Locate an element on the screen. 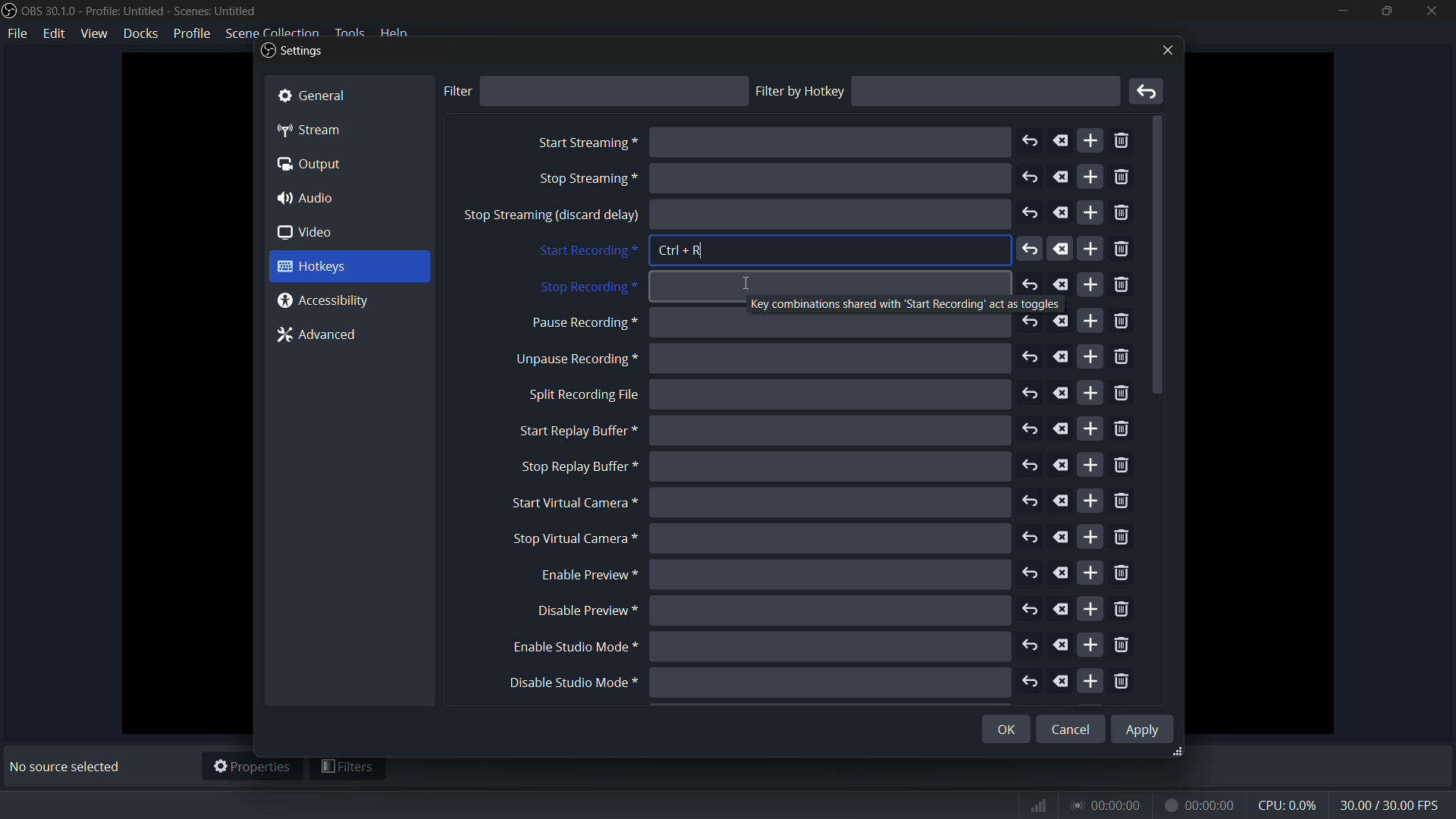 The height and width of the screenshot is (819, 1456). undo is located at coordinates (1031, 575).